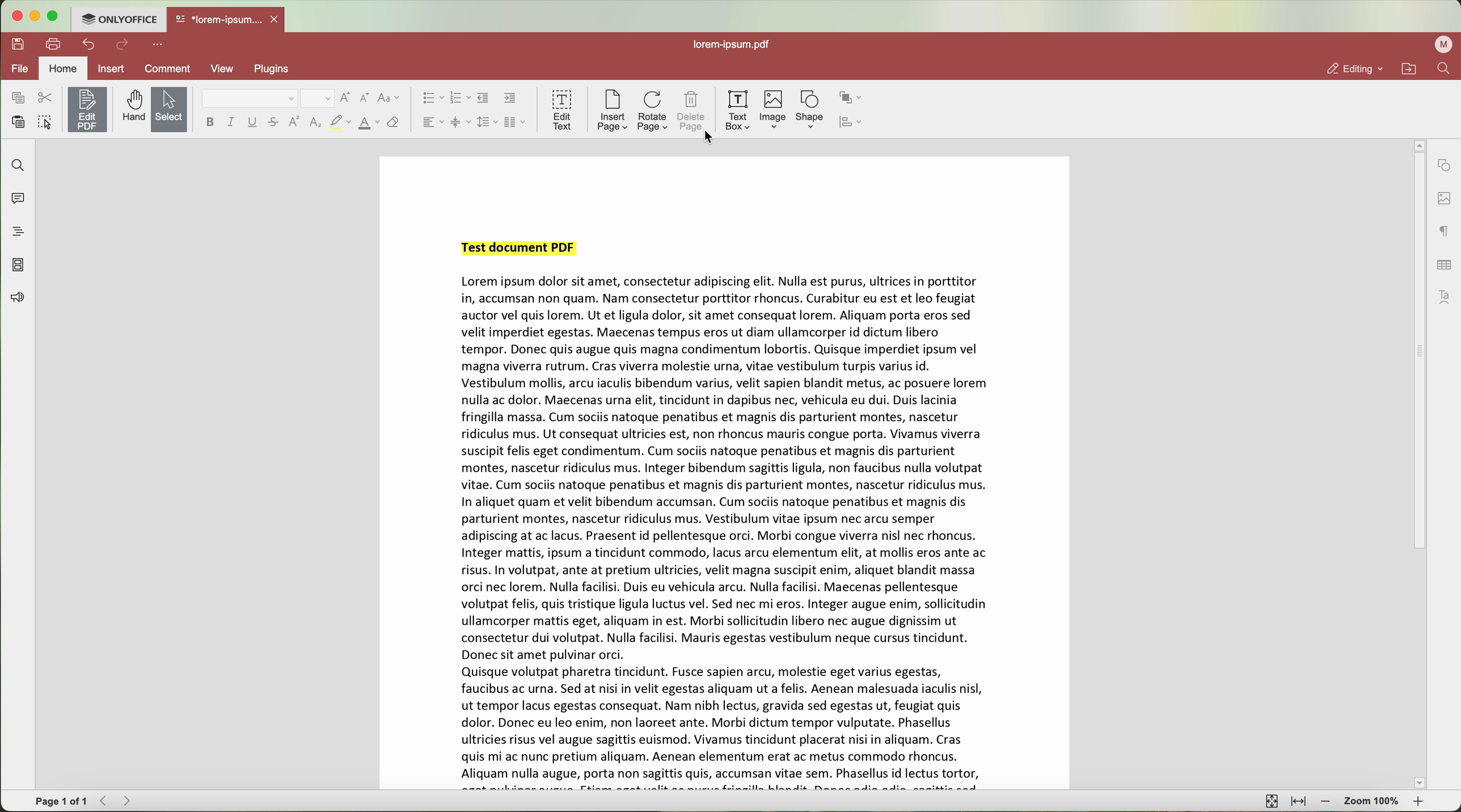 Image resolution: width=1461 pixels, height=812 pixels. I want to click on open file, so click(226, 20).